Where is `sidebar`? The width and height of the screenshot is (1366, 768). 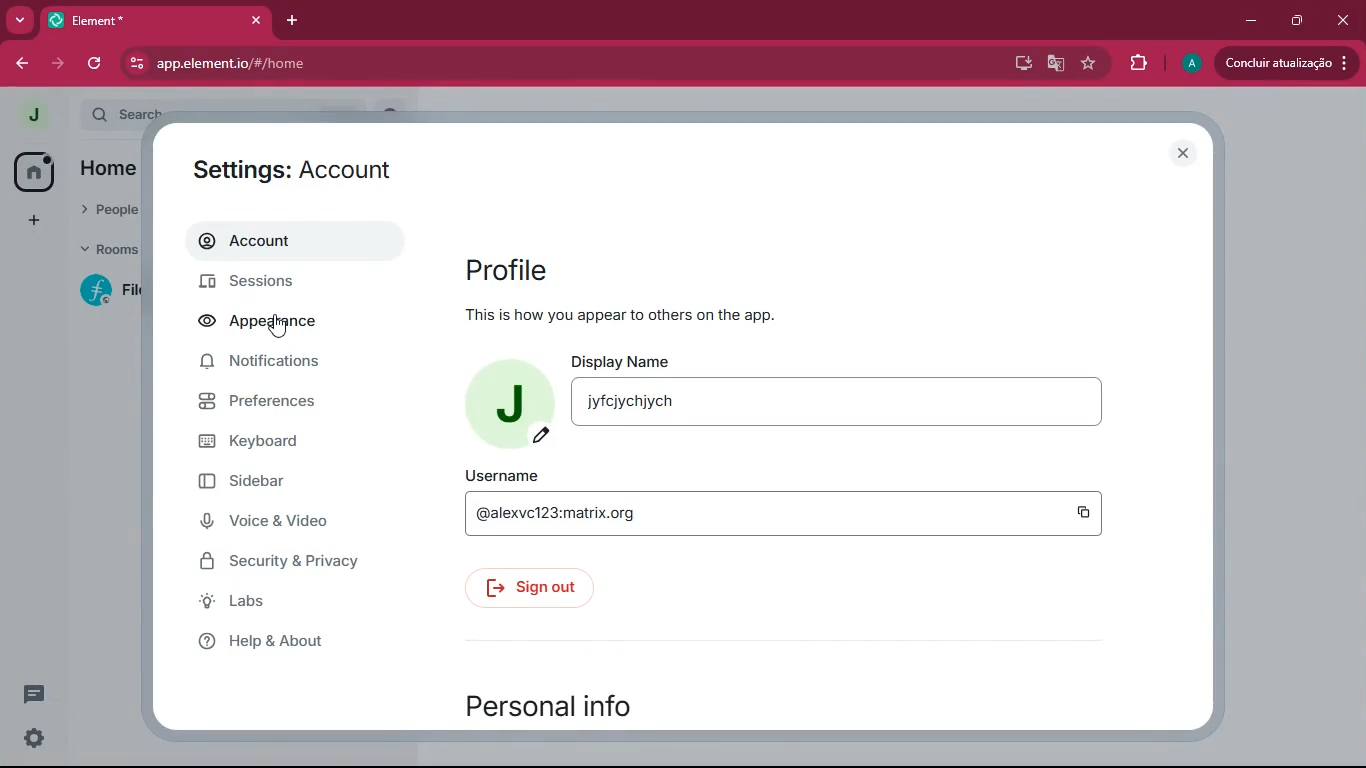
sidebar is located at coordinates (298, 482).